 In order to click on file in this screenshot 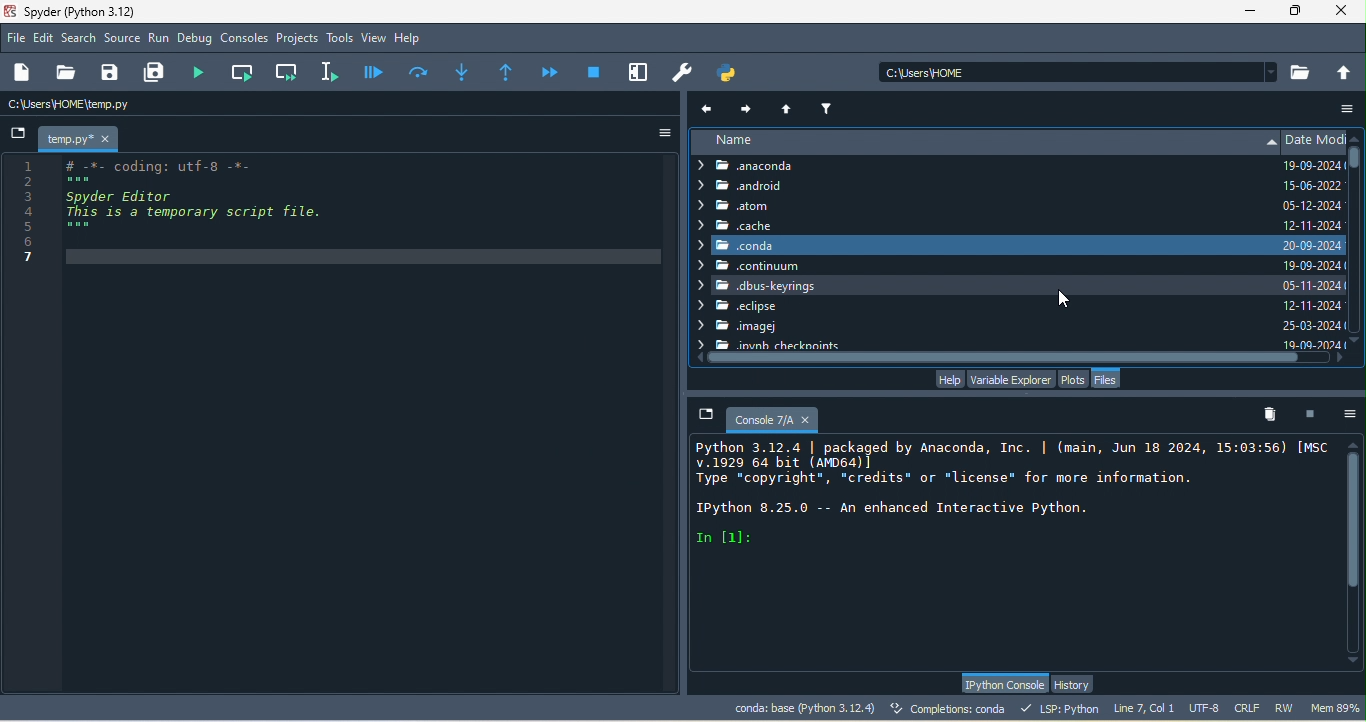, I will do `click(17, 37)`.